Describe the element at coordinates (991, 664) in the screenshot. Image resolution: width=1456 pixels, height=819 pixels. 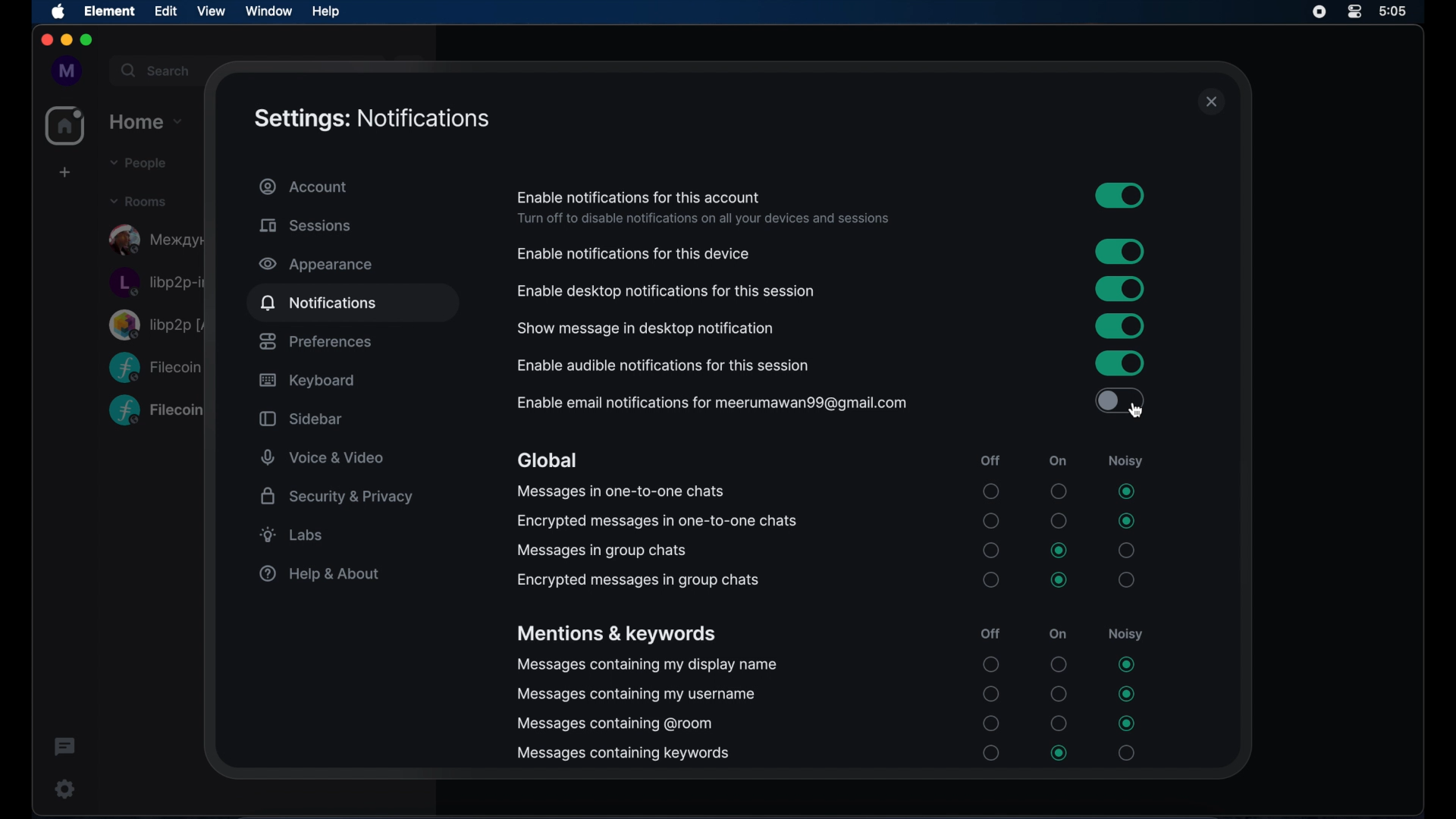
I see `radio button` at that location.